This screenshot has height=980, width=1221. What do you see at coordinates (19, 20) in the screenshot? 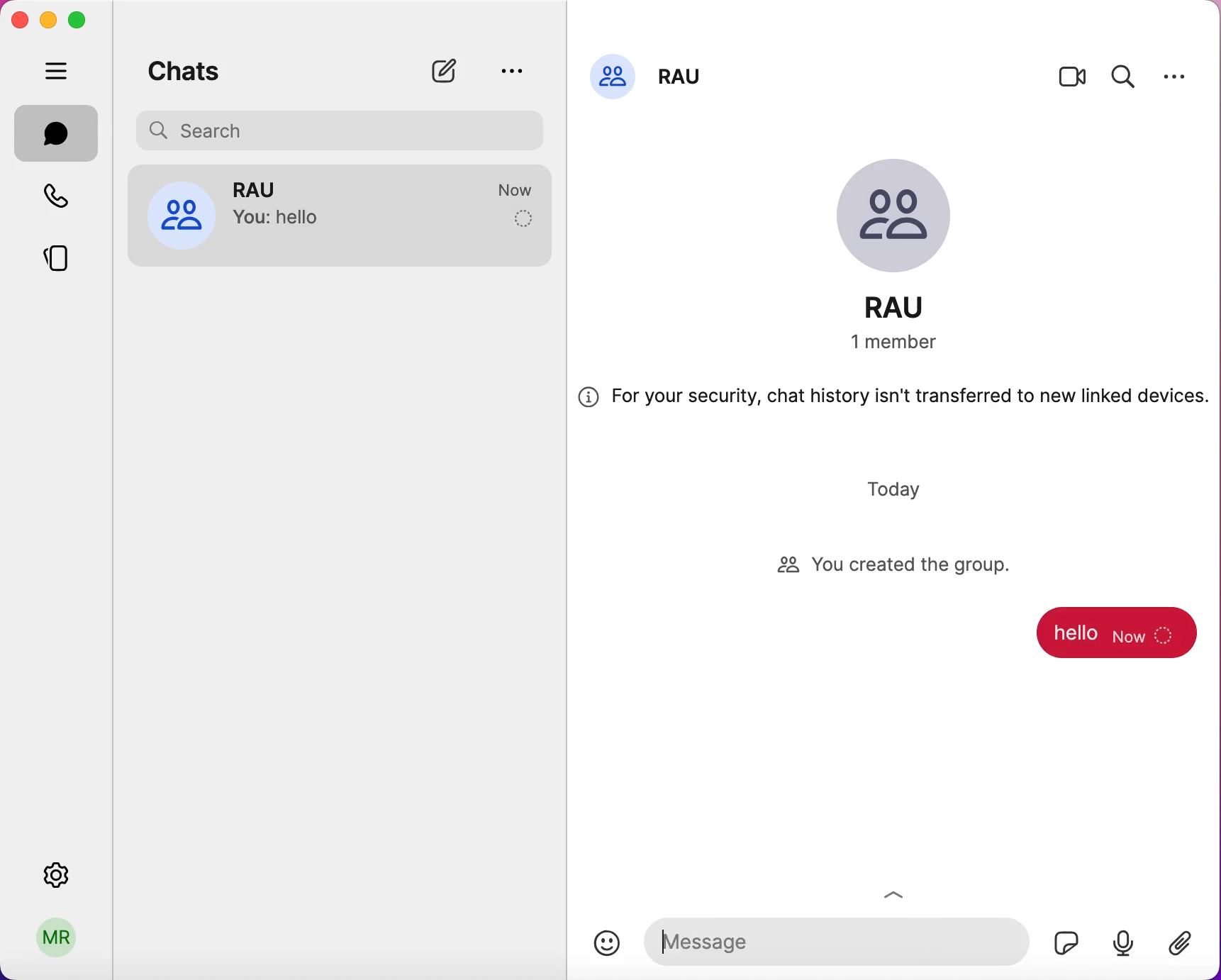
I see `close` at bounding box center [19, 20].